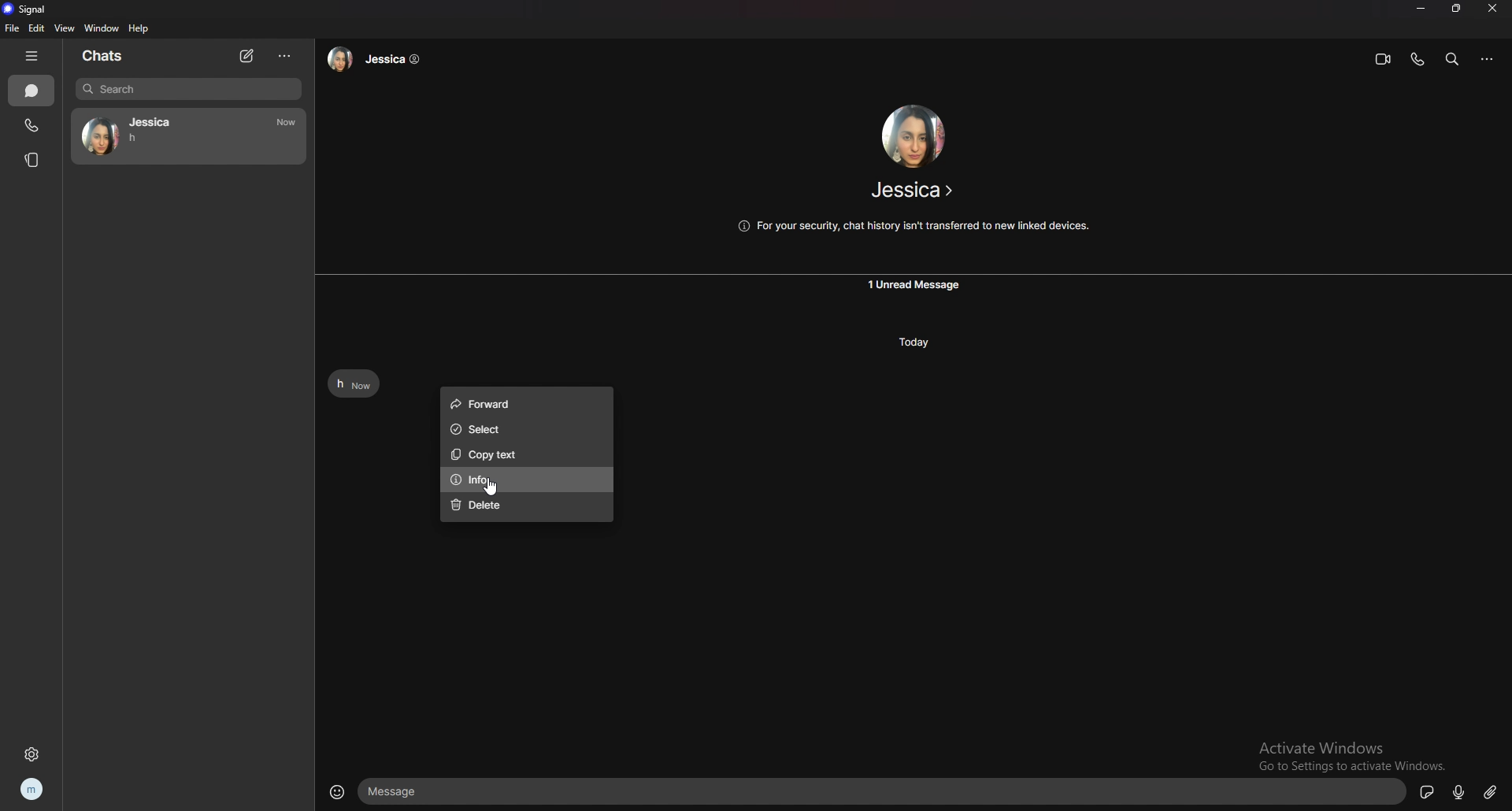 This screenshot has width=1512, height=811. What do you see at coordinates (1384, 59) in the screenshot?
I see `video call` at bounding box center [1384, 59].